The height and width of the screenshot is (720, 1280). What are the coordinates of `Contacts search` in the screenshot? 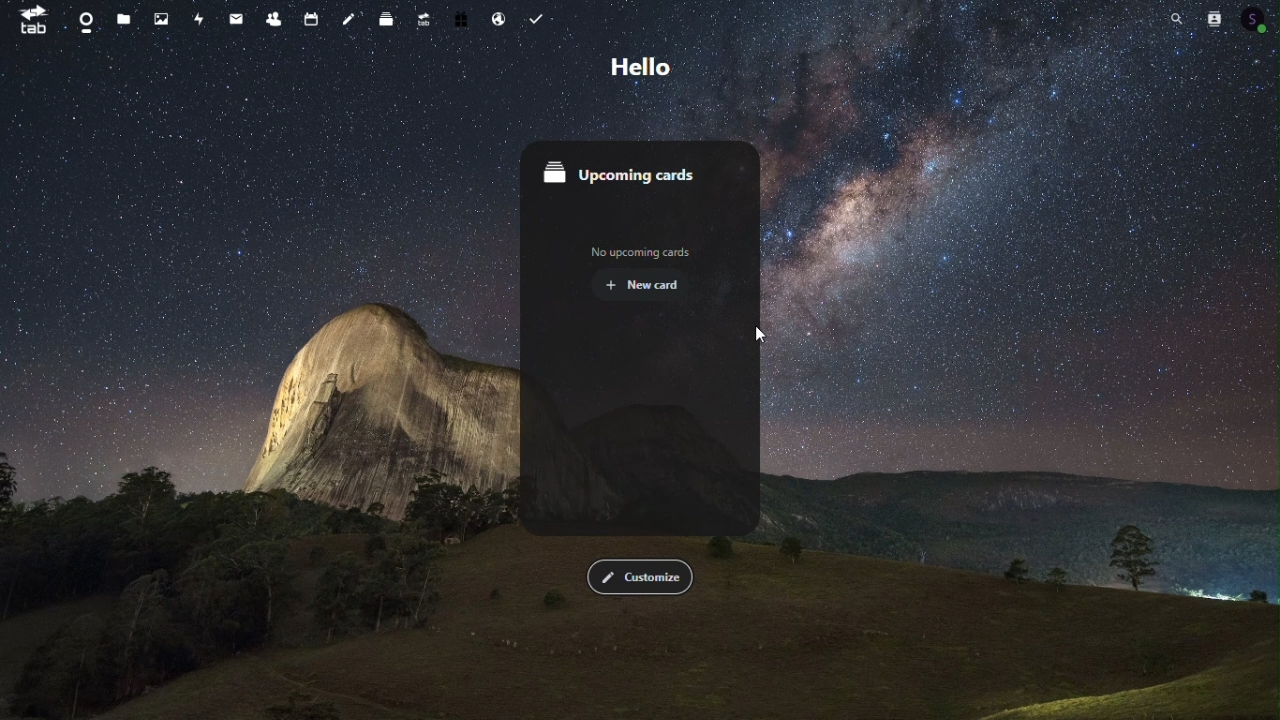 It's located at (1212, 18).